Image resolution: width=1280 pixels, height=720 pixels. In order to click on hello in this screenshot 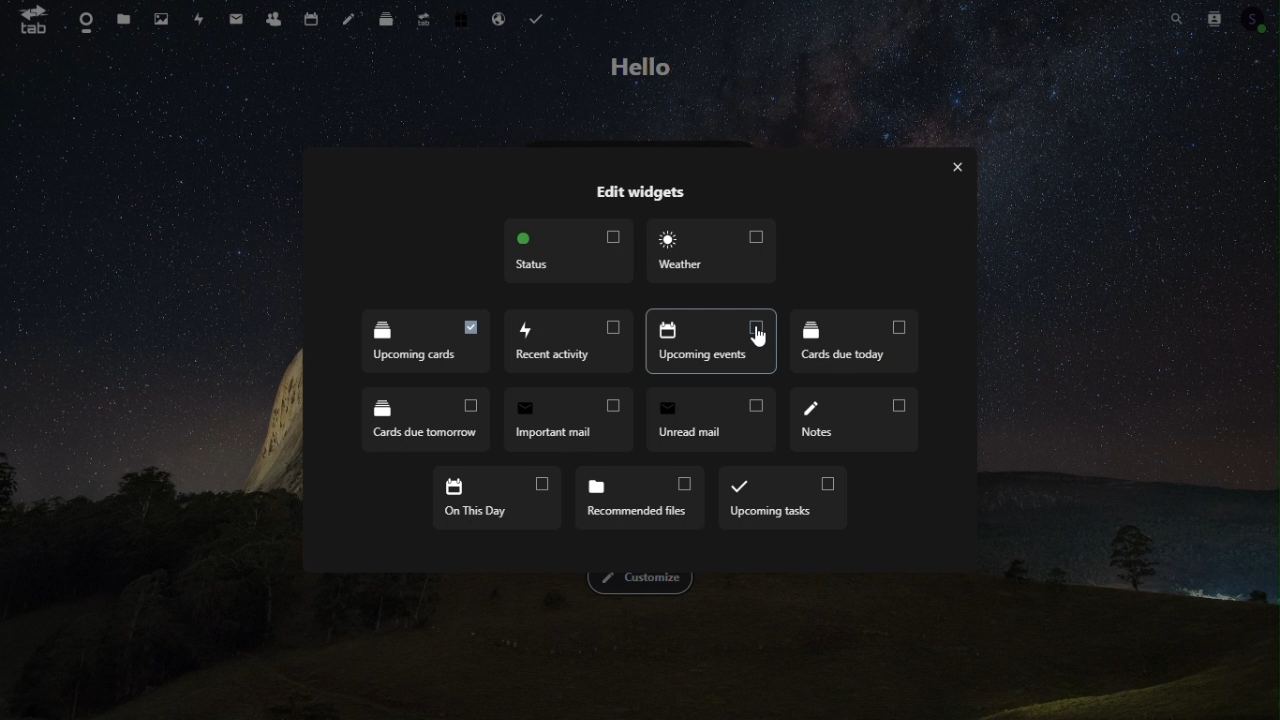, I will do `click(635, 68)`.